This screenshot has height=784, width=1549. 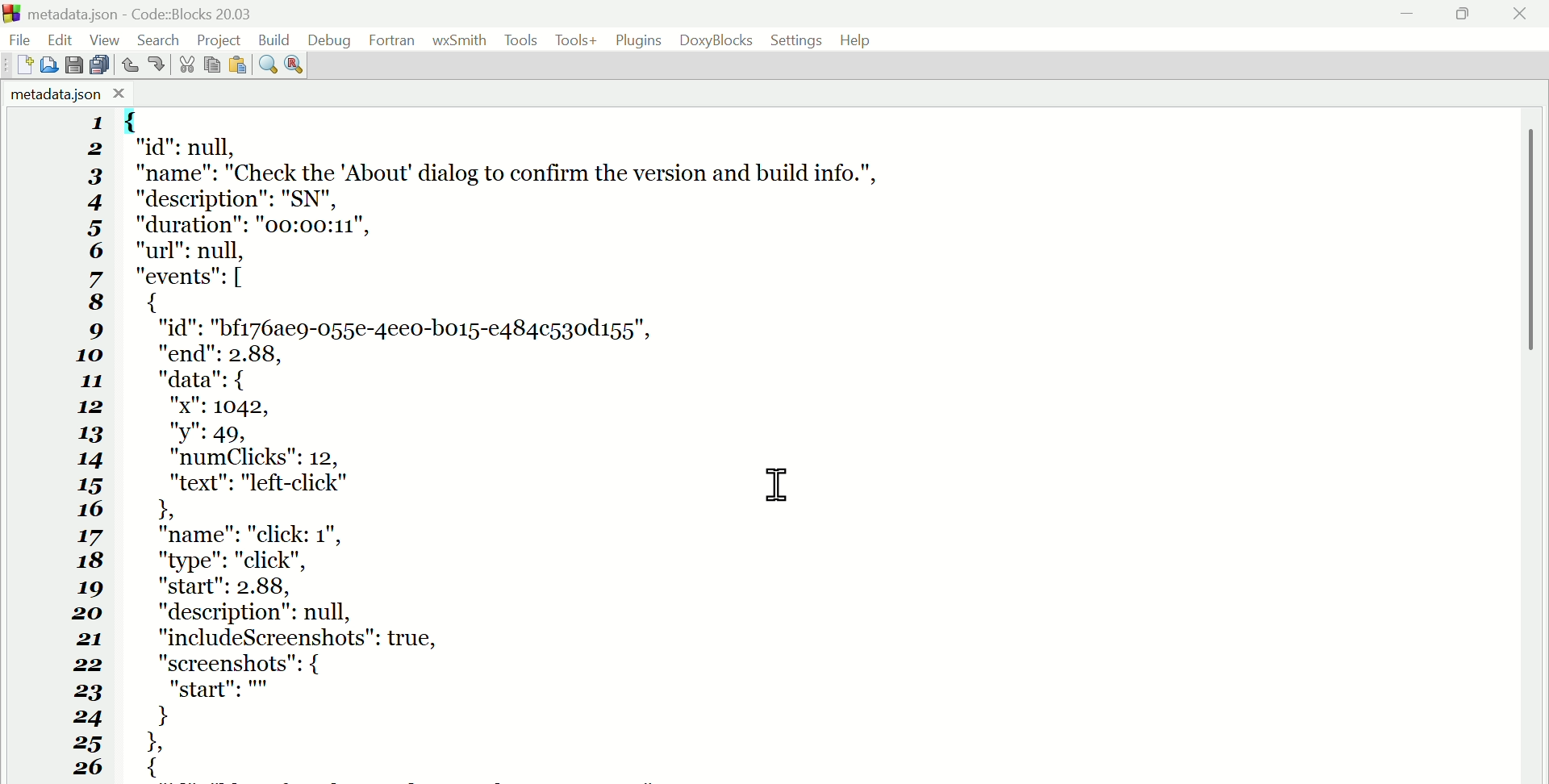 What do you see at coordinates (52, 63) in the screenshot?
I see `Open` at bounding box center [52, 63].